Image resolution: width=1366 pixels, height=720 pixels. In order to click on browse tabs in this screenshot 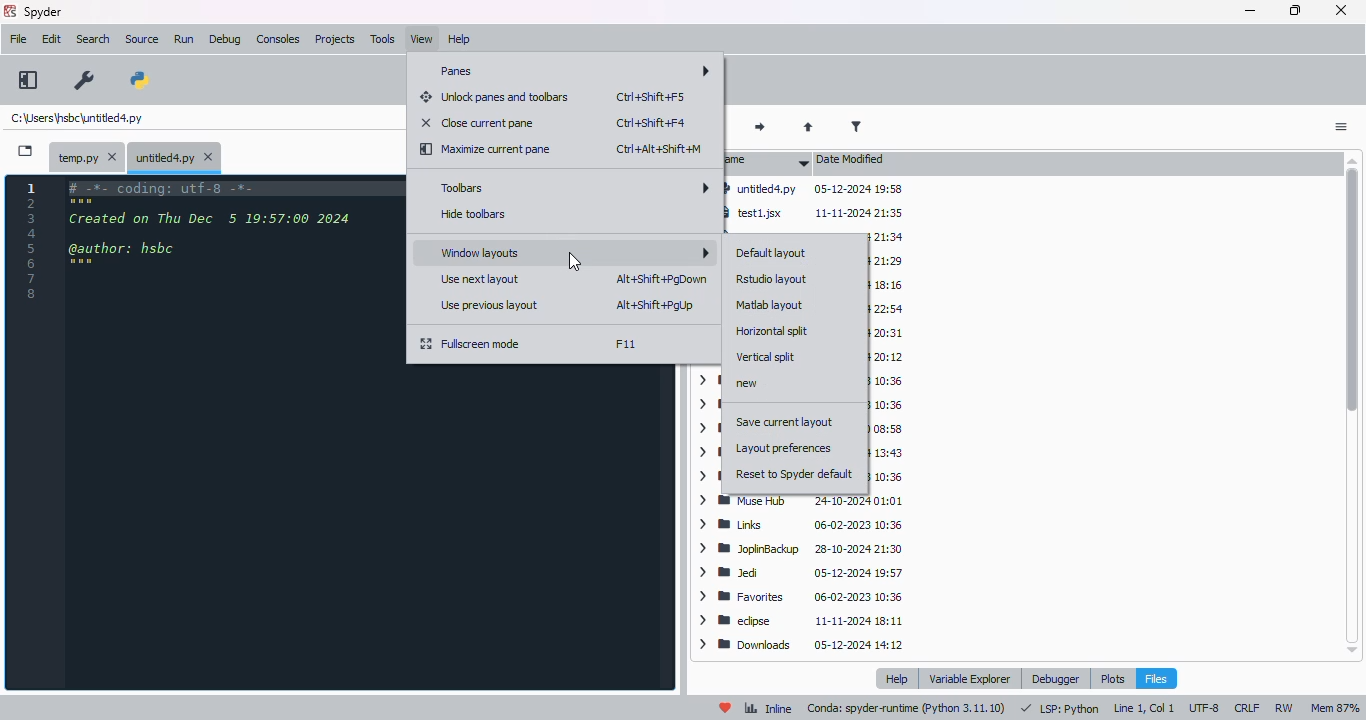, I will do `click(26, 151)`.